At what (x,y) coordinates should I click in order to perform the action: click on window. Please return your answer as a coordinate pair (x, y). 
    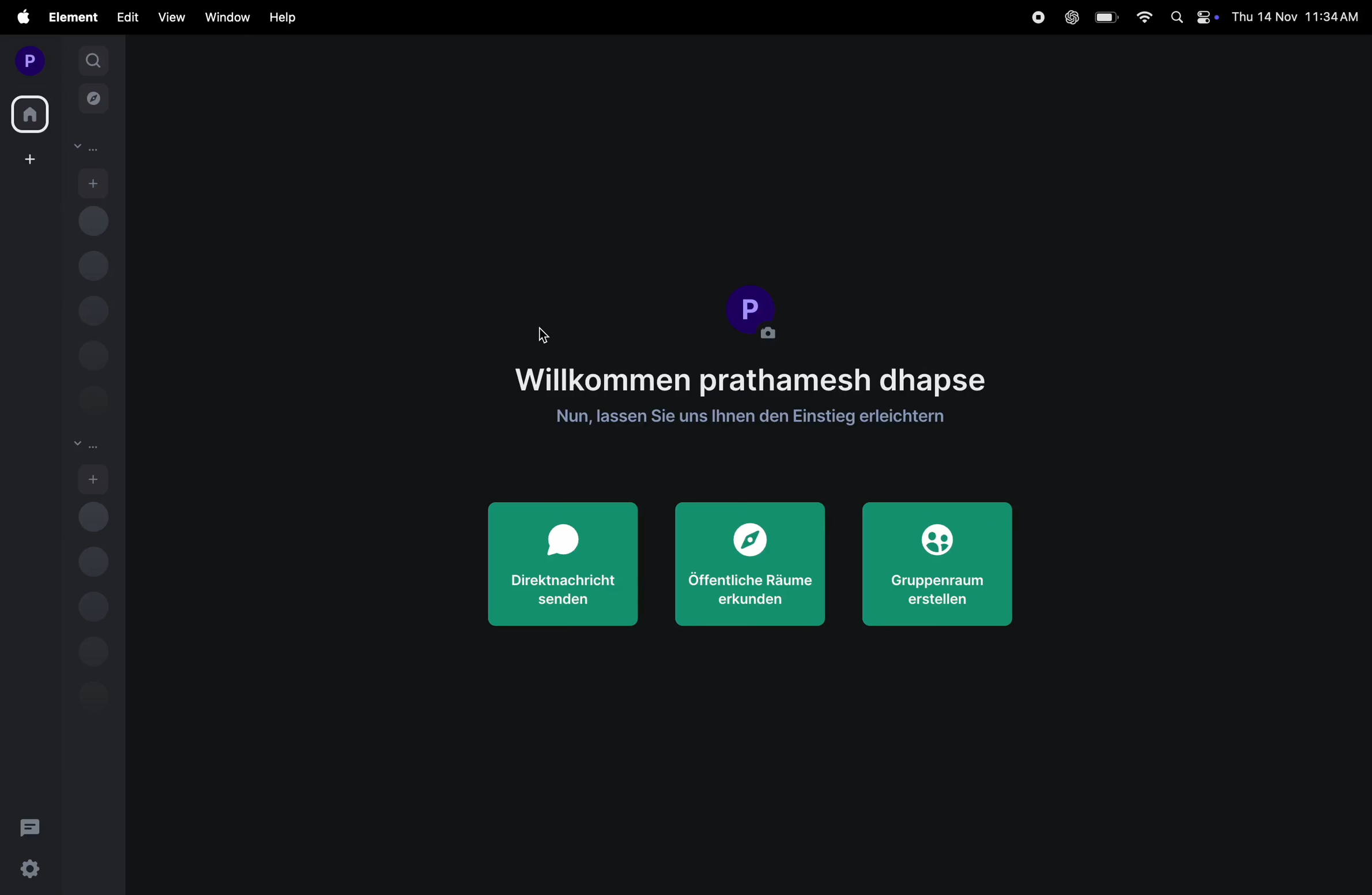
    Looking at the image, I should click on (223, 18).